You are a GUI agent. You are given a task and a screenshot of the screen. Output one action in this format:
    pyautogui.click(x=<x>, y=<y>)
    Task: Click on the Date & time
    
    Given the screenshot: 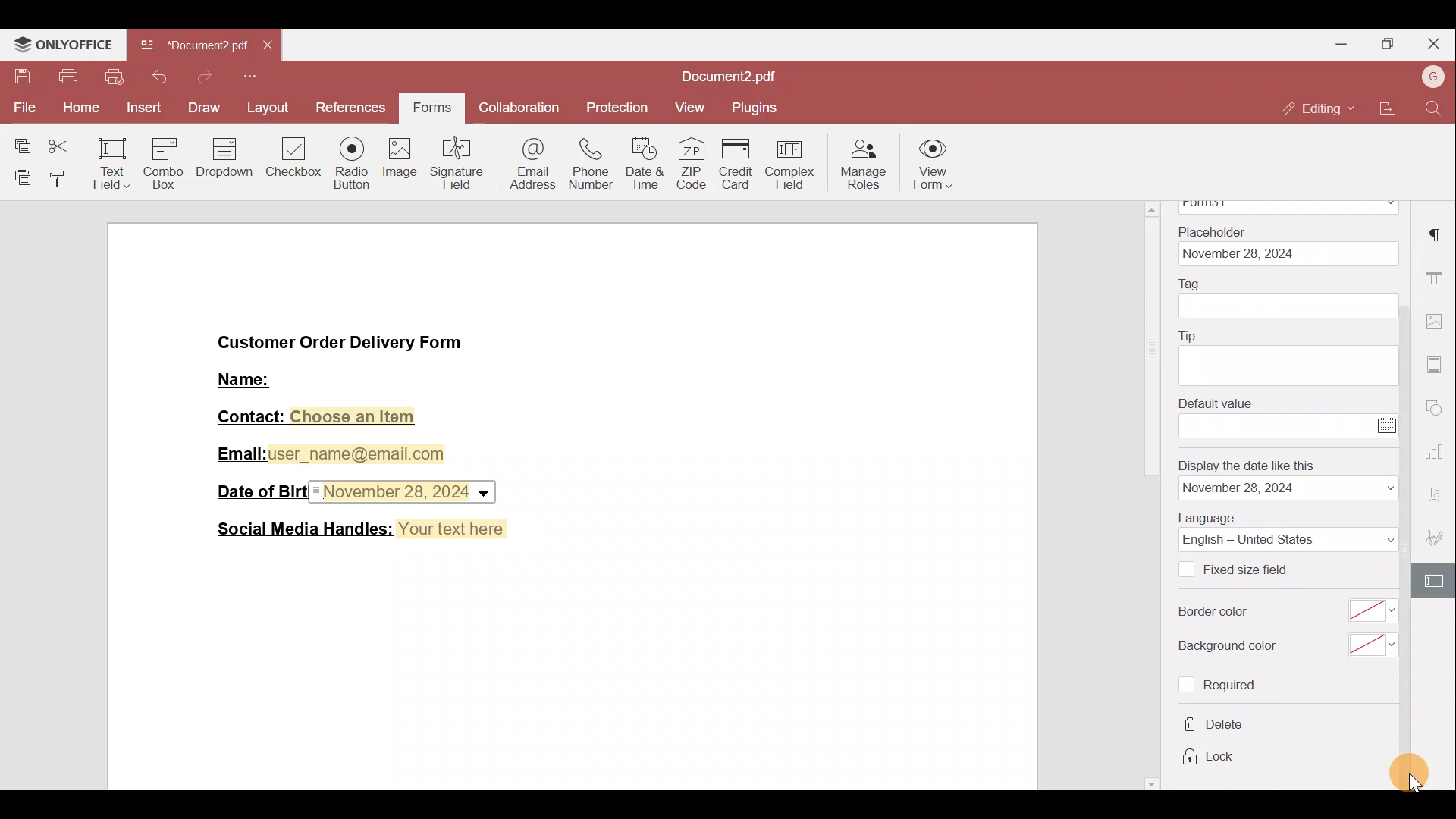 What is the action you would take?
    pyautogui.click(x=645, y=164)
    